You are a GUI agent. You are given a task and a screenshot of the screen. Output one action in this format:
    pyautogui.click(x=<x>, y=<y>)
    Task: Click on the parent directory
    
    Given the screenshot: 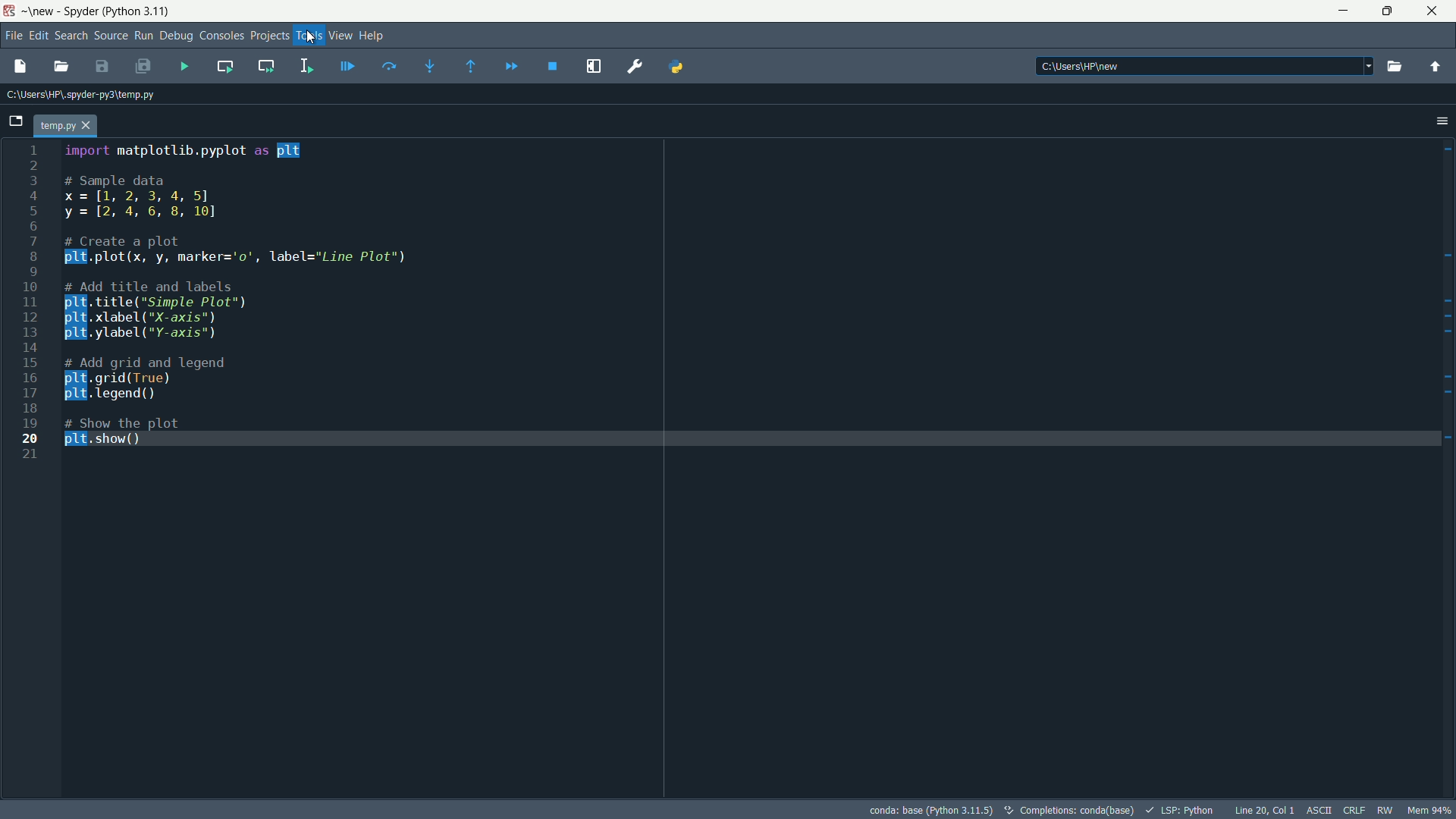 What is the action you would take?
    pyautogui.click(x=1435, y=69)
    